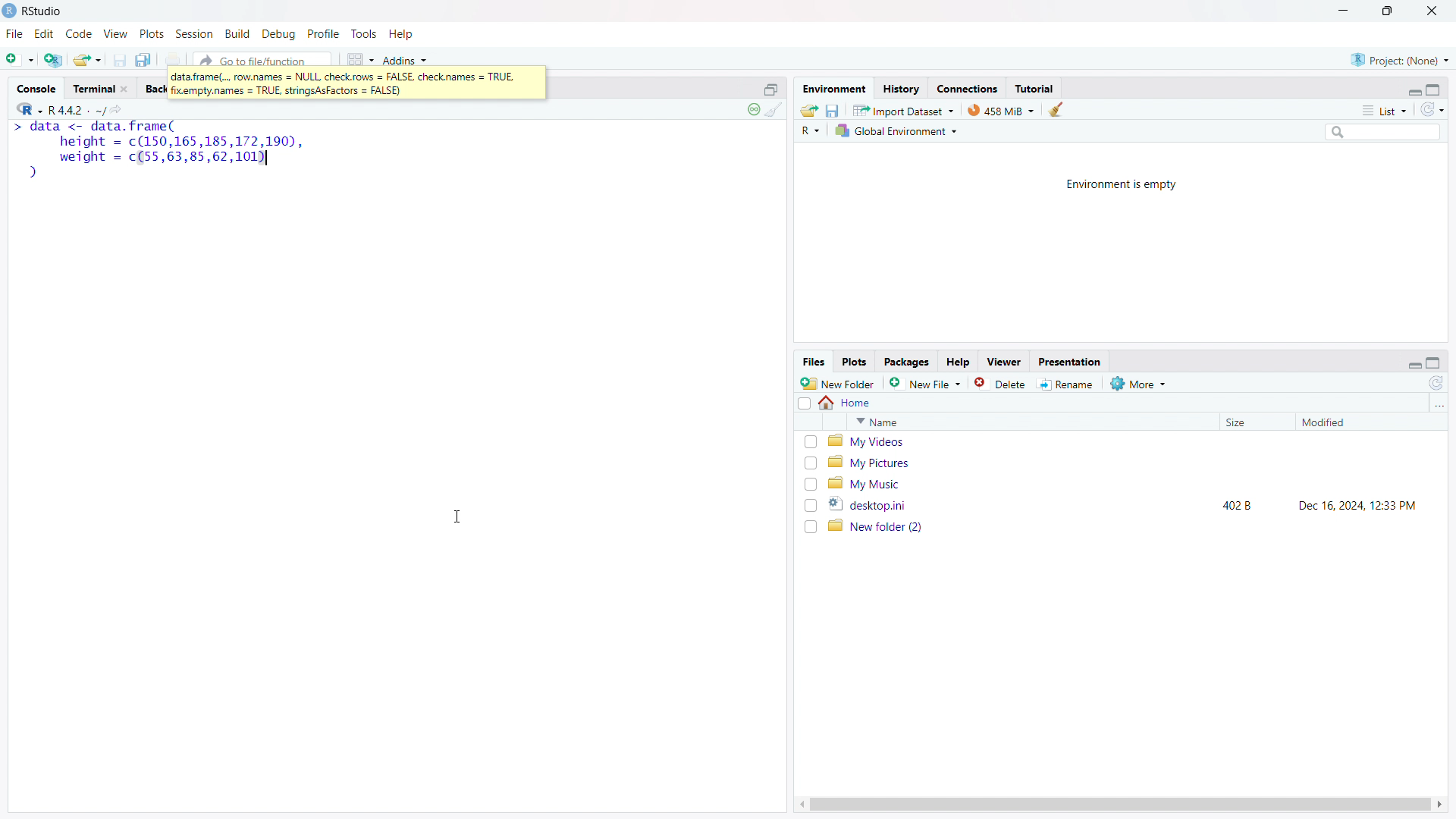 Image resolution: width=1456 pixels, height=819 pixels. What do you see at coordinates (774, 110) in the screenshot?
I see `clear console` at bounding box center [774, 110].